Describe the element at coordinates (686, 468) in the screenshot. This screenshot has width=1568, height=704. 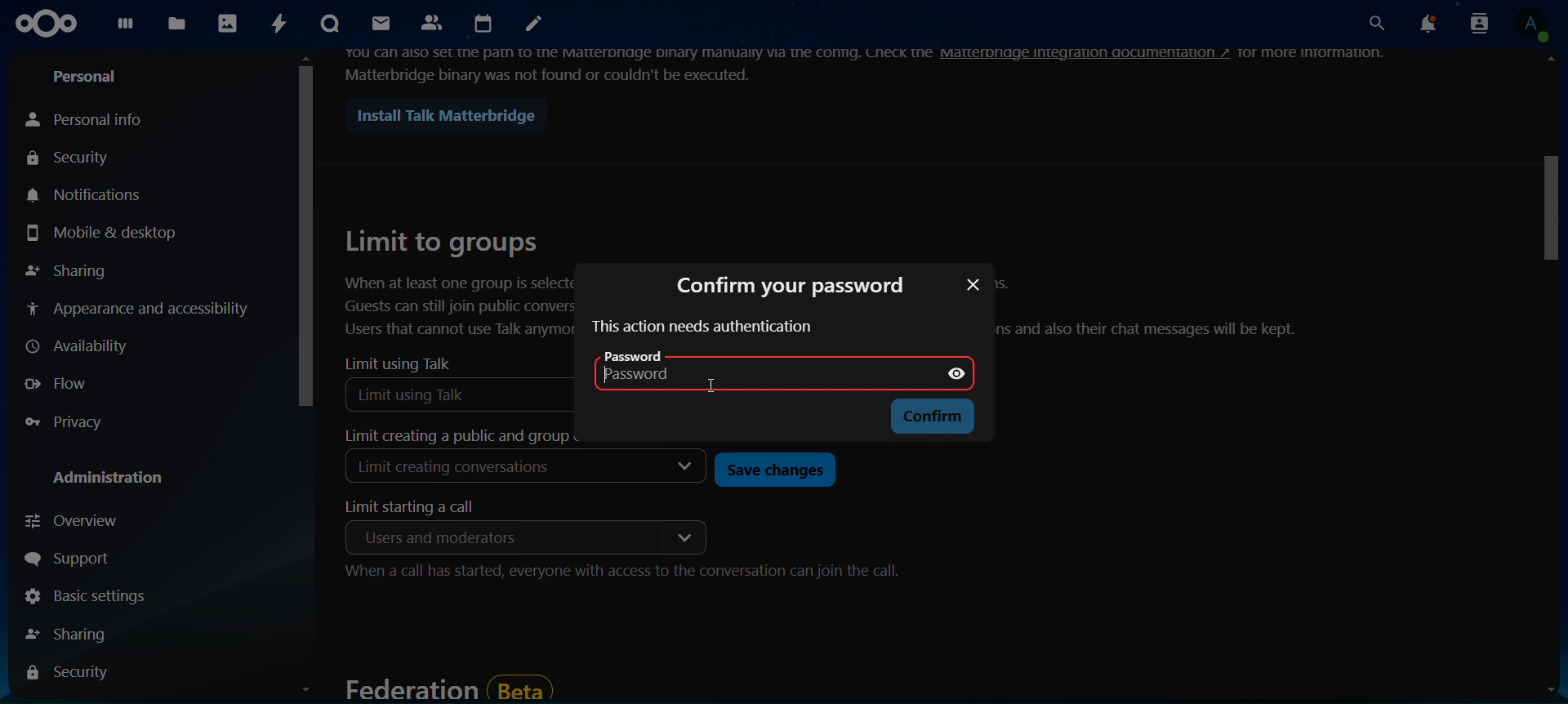
I see `dropdown` at that location.